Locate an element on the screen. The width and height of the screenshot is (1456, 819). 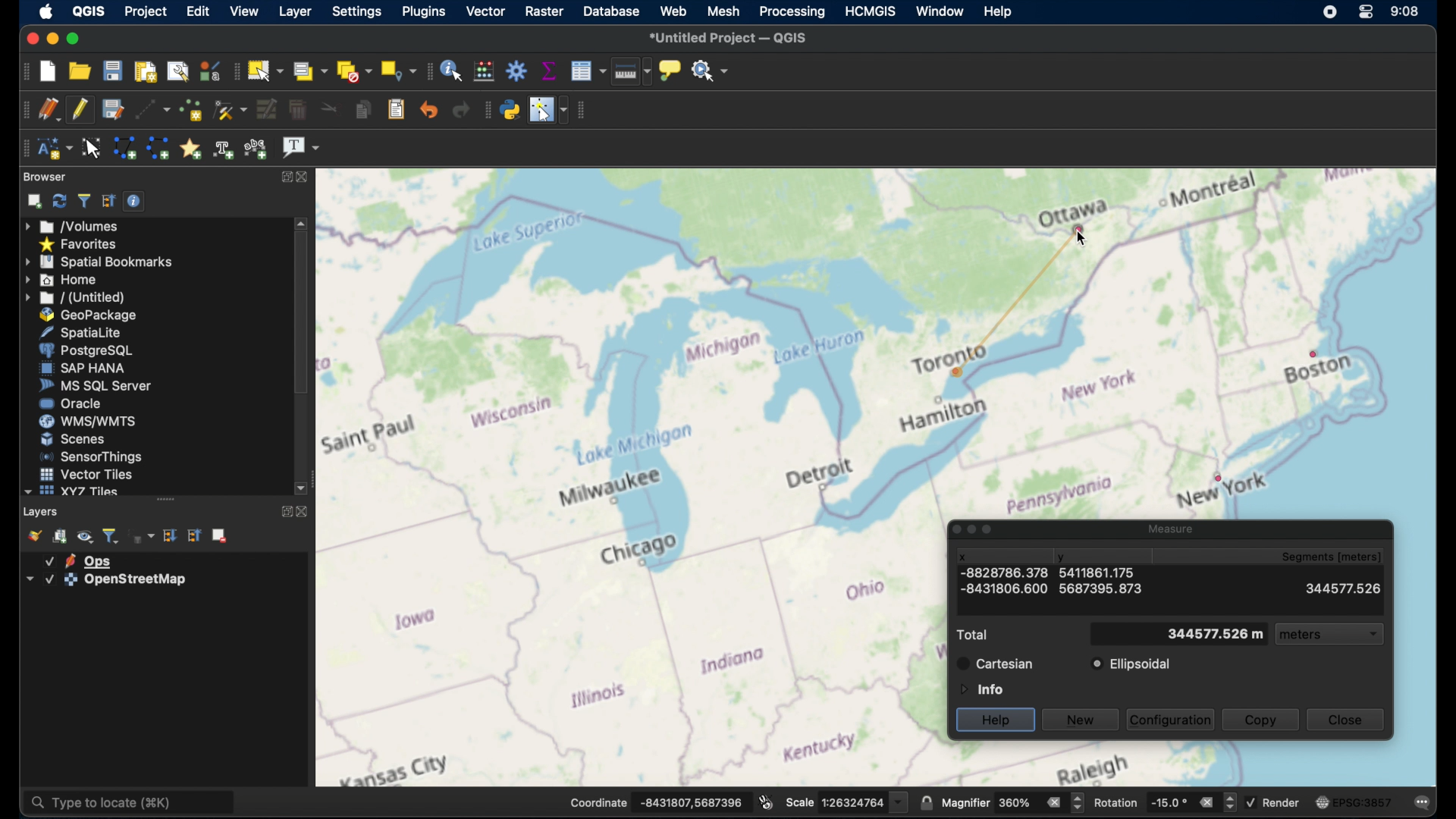
coordinate is located at coordinates (656, 801).